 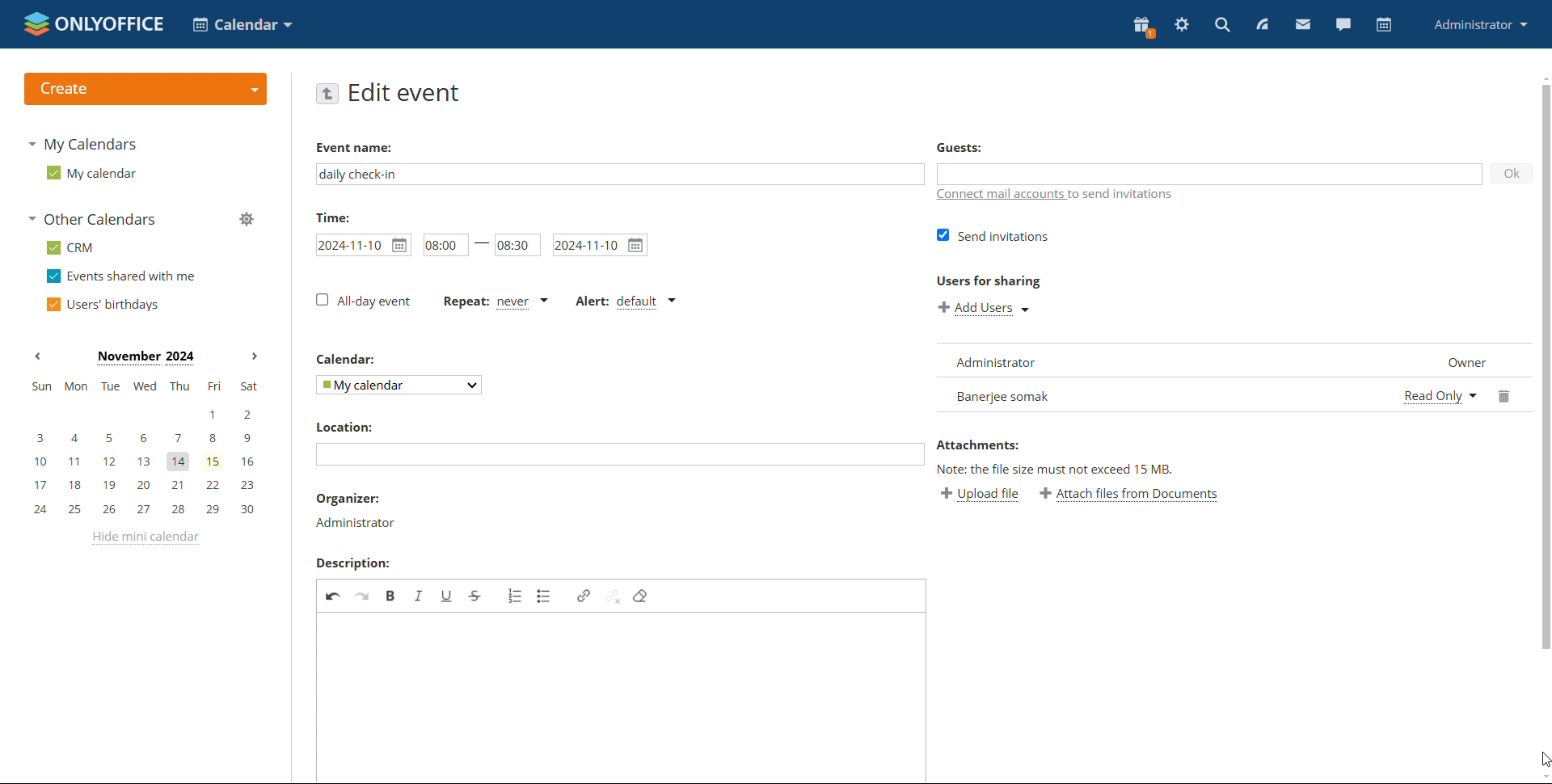 I want to click on previous month, so click(x=37, y=356).